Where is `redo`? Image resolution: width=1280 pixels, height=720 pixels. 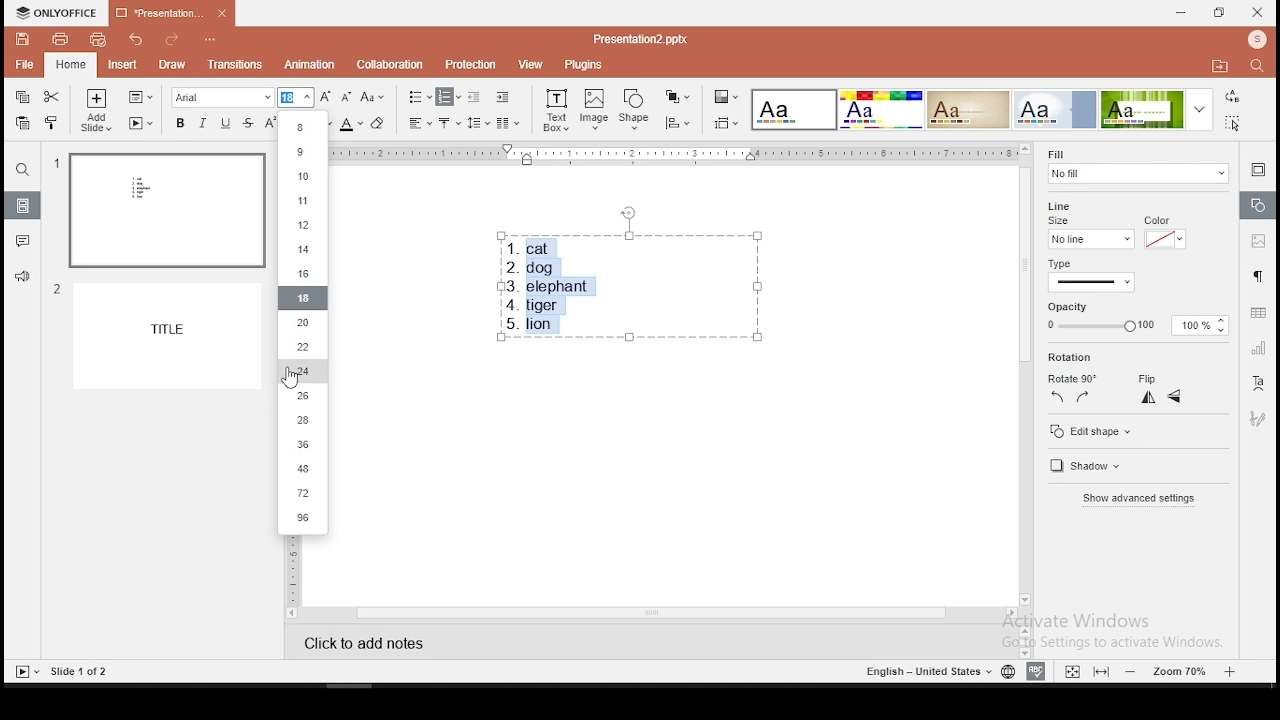 redo is located at coordinates (173, 38).